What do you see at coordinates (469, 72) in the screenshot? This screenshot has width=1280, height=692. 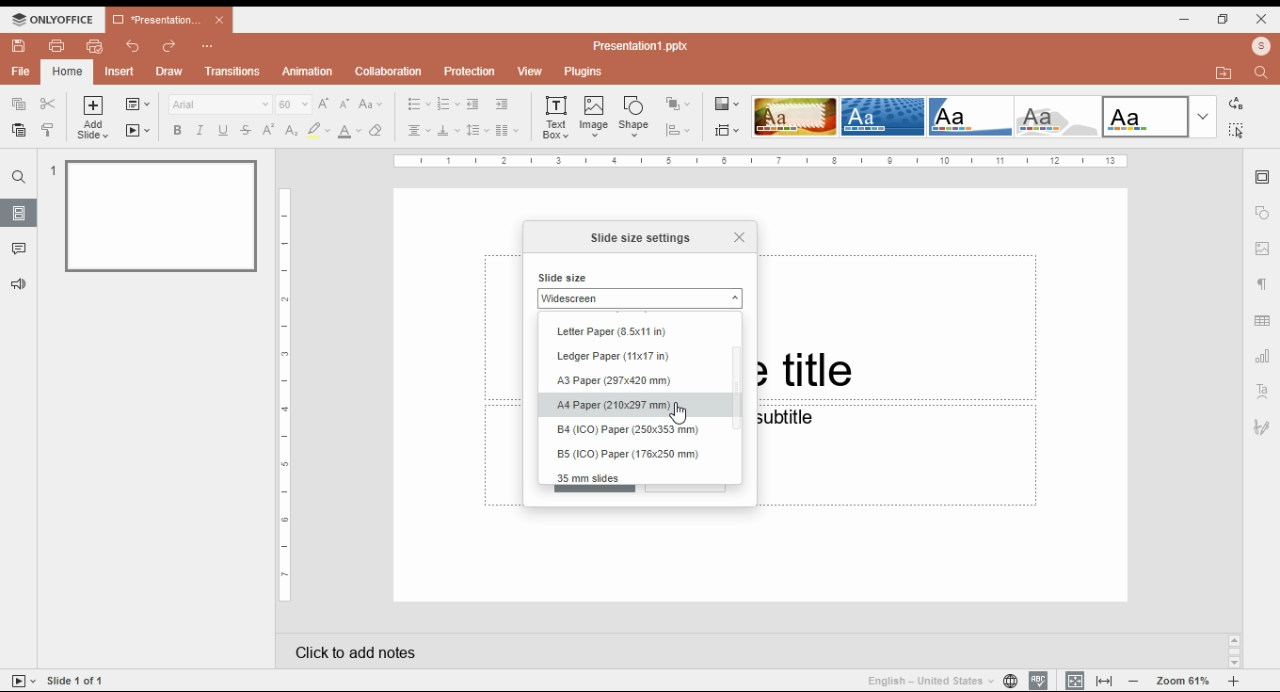 I see `protection` at bounding box center [469, 72].